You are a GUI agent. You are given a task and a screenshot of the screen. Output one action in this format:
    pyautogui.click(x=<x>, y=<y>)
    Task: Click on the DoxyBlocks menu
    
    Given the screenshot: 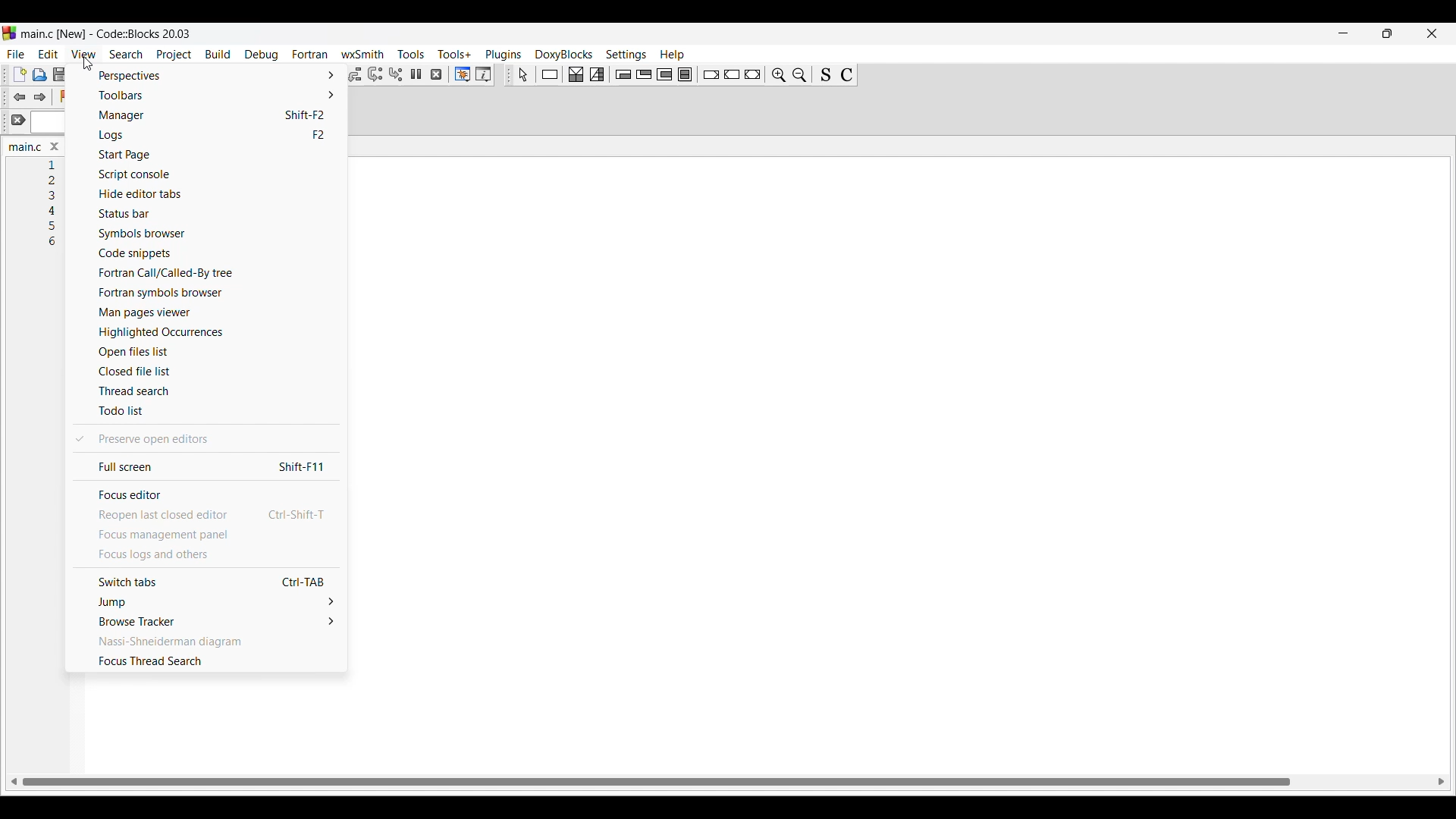 What is the action you would take?
    pyautogui.click(x=563, y=55)
    